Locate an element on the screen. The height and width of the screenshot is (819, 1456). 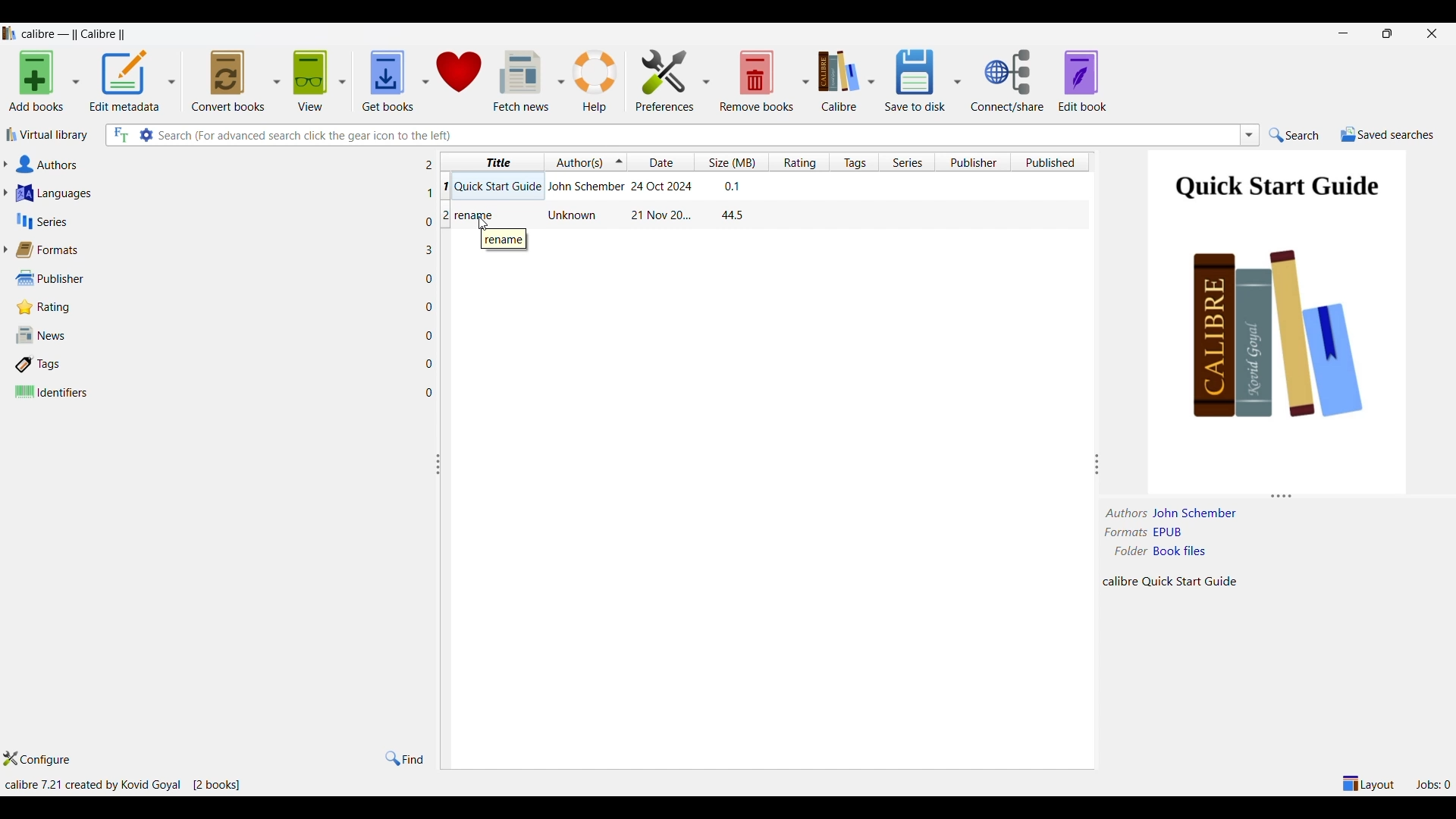
Software logo is located at coordinates (10, 33).